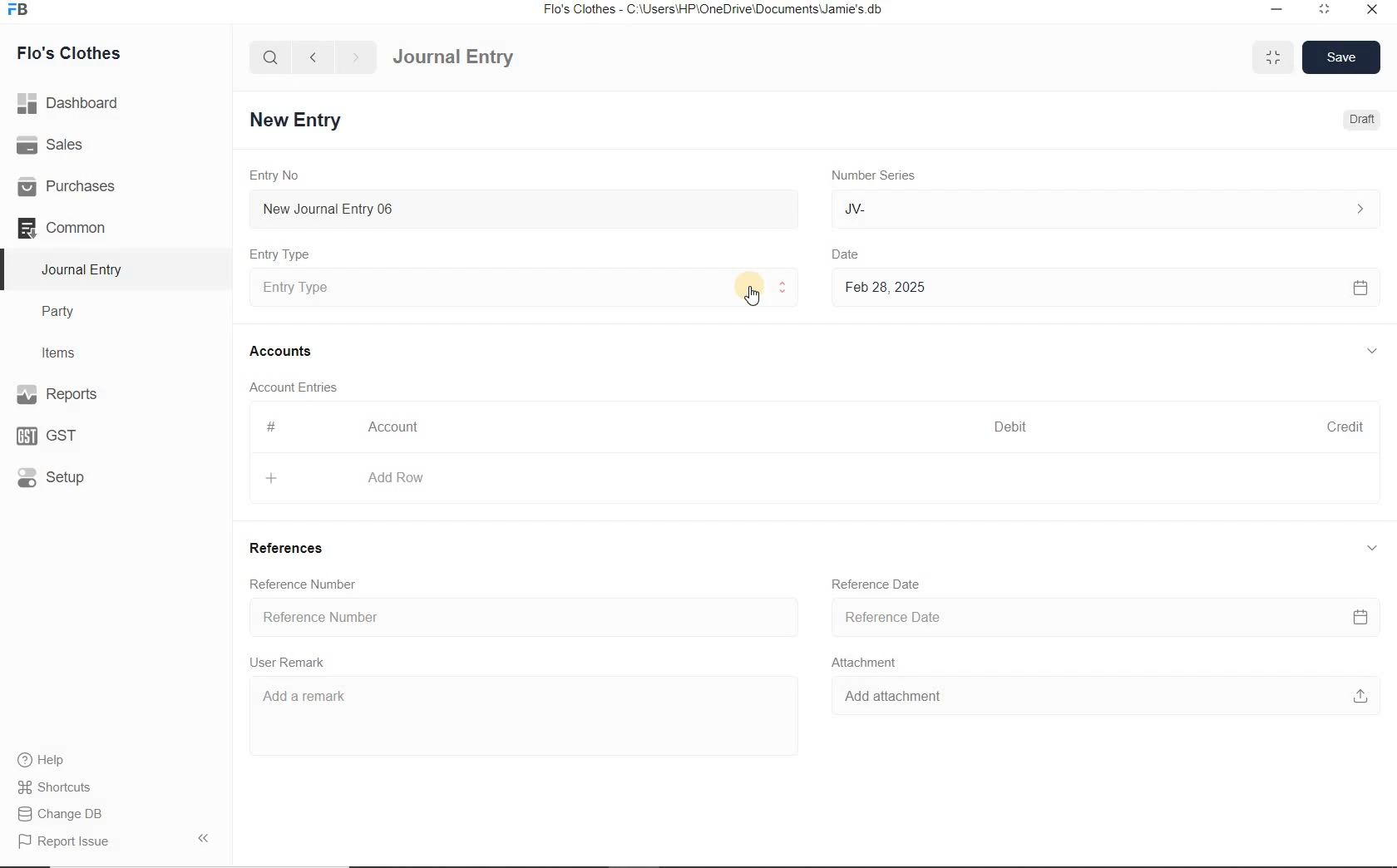 This screenshot has height=868, width=1397. What do you see at coordinates (1275, 8) in the screenshot?
I see `minimize` at bounding box center [1275, 8].